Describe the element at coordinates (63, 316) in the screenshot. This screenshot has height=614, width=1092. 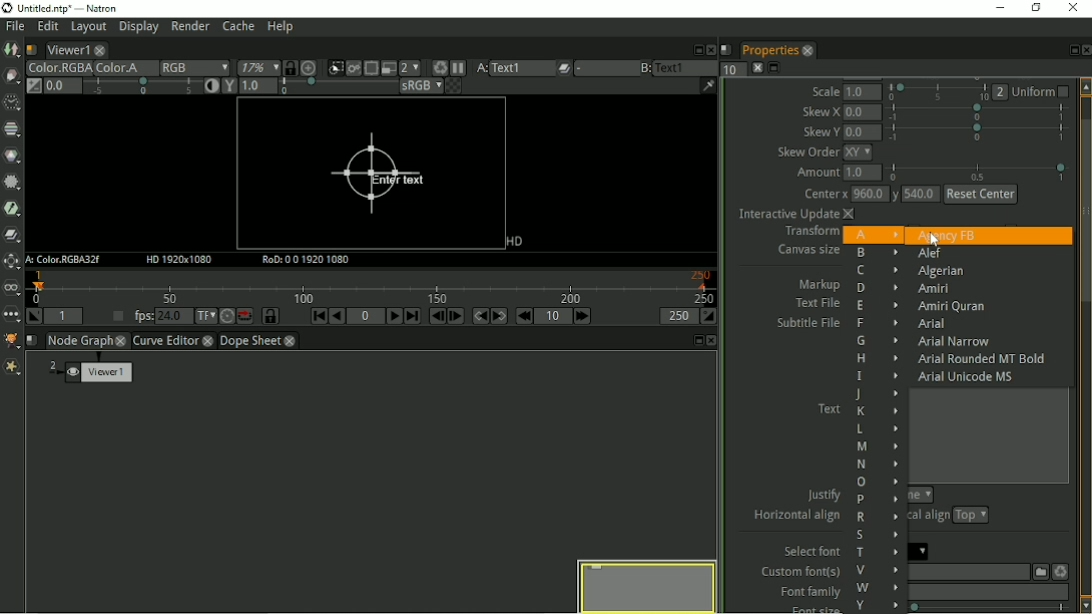
I see `Playback in point` at that location.